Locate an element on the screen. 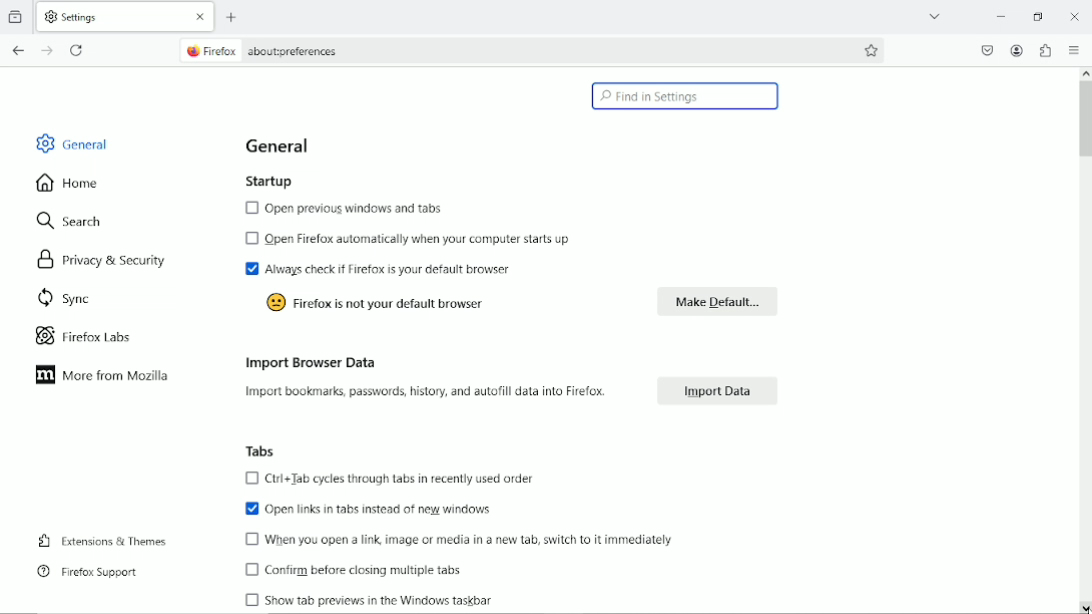 The height and width of the screenshot is (614, 1092). Open application menu is located at coordinates (1073, 50).